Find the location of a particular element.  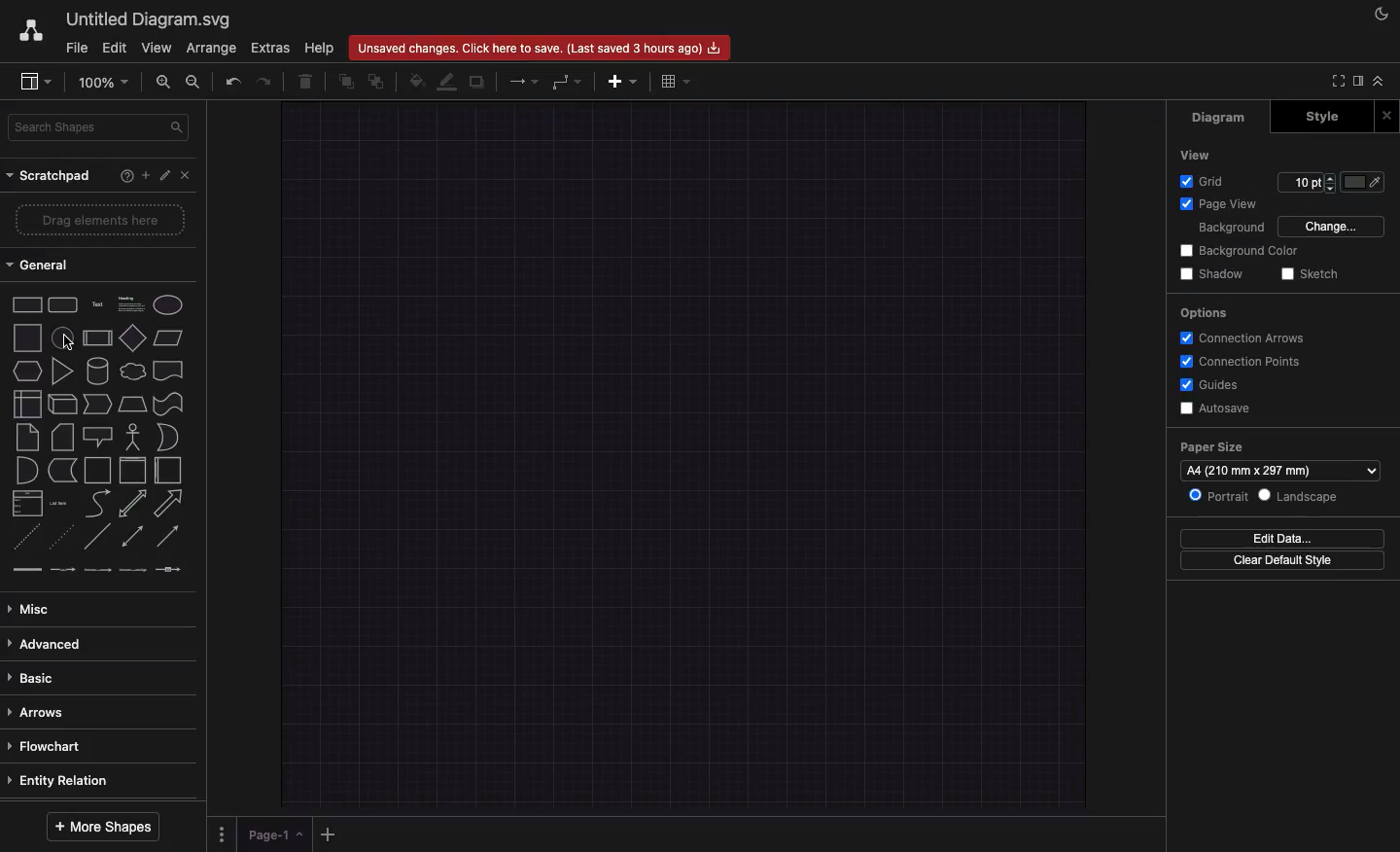

Untitled diagram.svg is located at coordinates (152, 20).